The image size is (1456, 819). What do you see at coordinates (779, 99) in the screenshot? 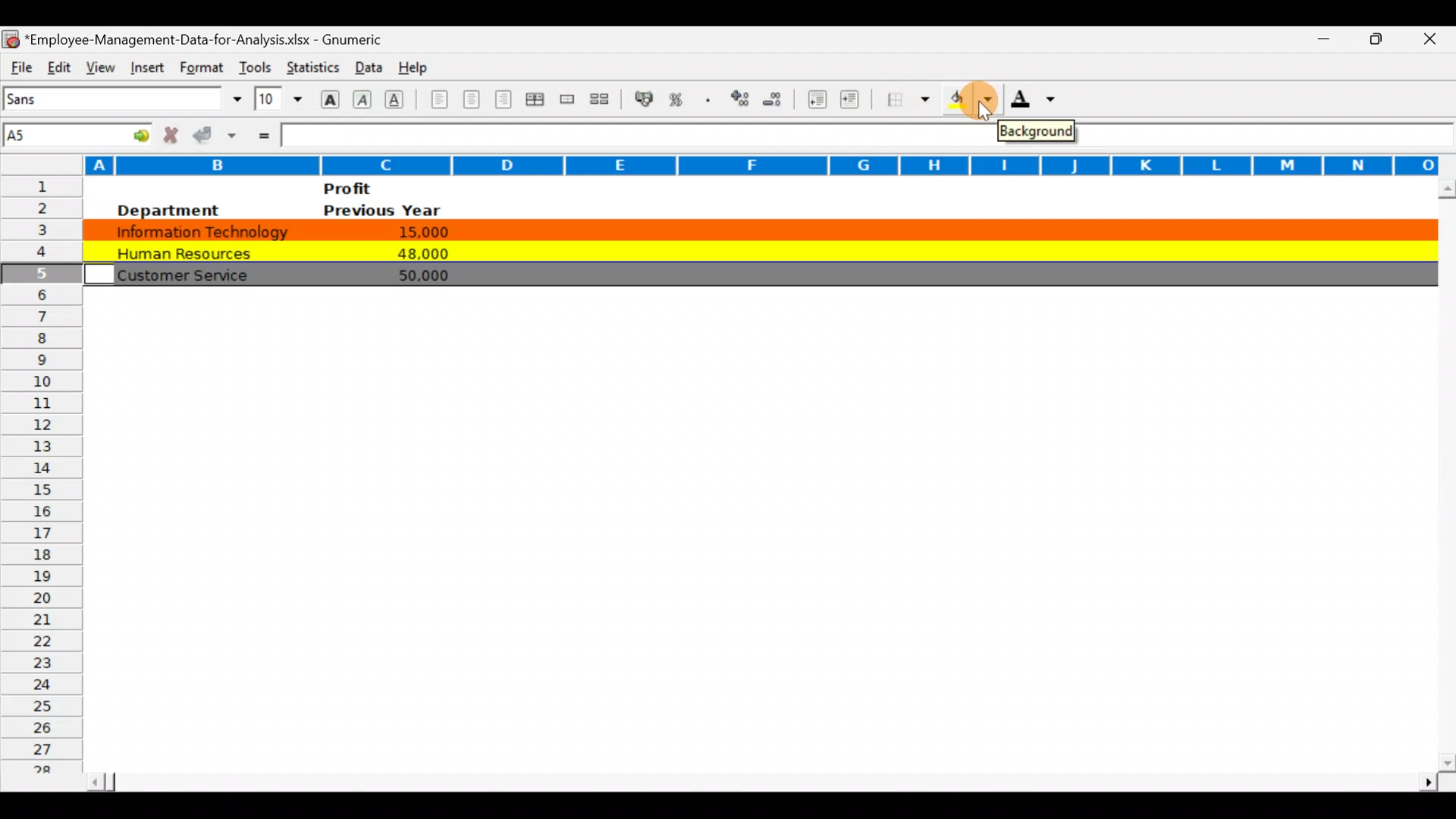
I see `Decrease decimals` at bounding box center [779, 99].